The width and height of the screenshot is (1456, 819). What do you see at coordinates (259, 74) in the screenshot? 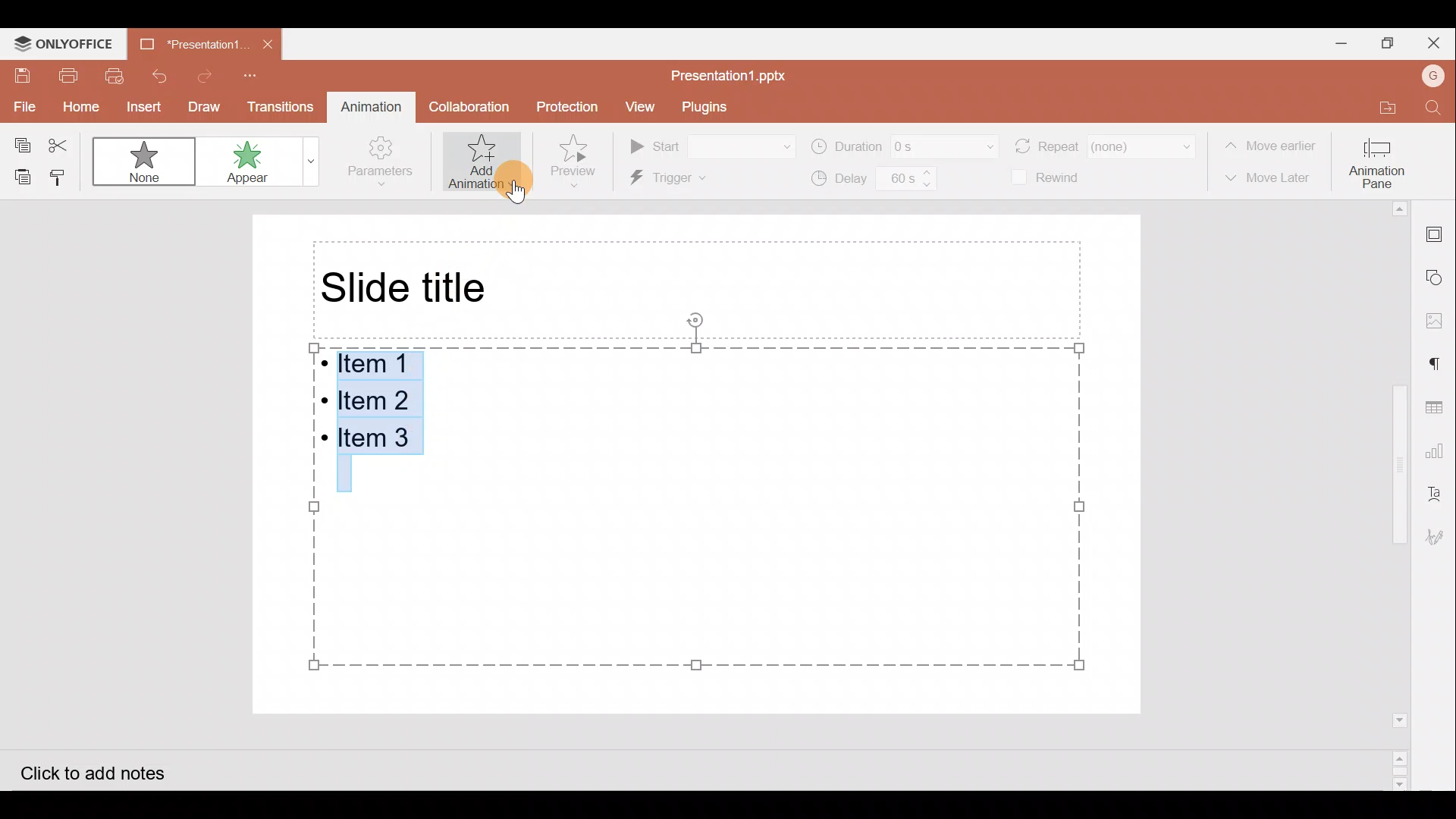
I see `Customize quick access toolbar` at bounding box center [259, 74].